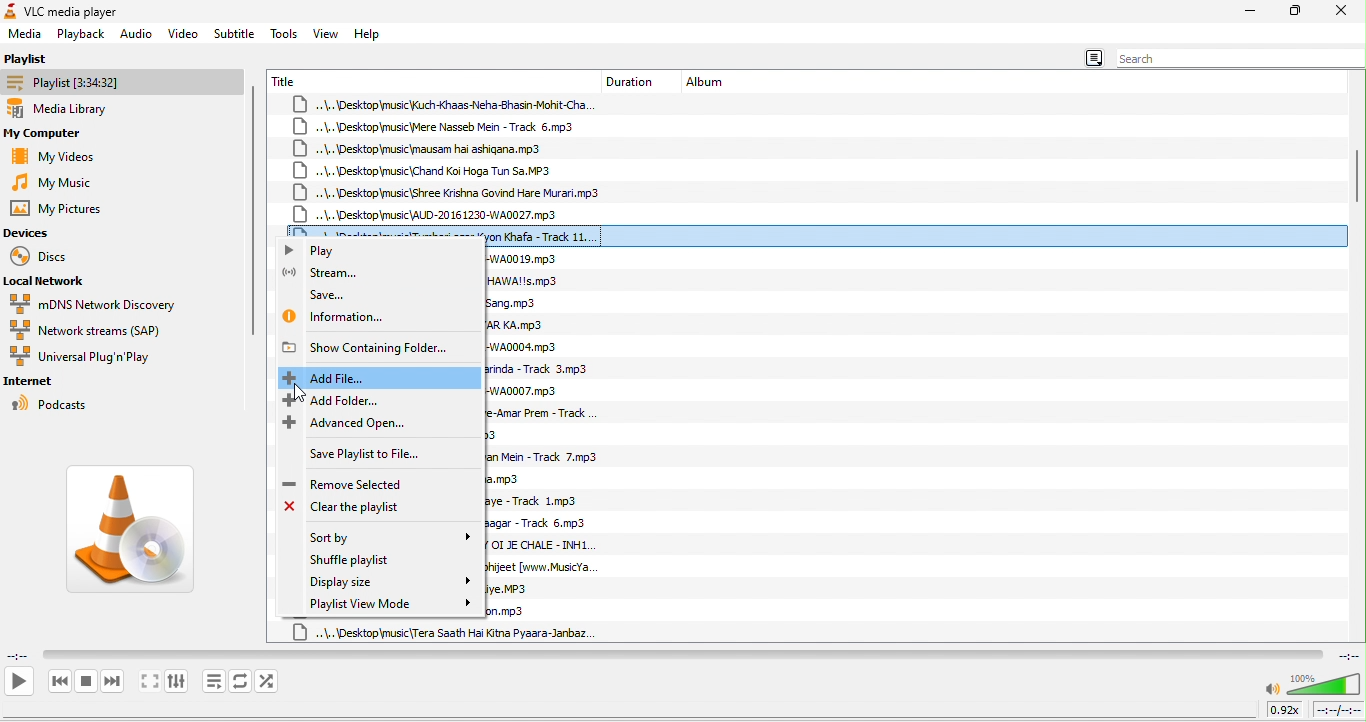 This screenshot has width=1366, height=722. Describe the element at coordinates (526, 258) in the screenshot. I see `+.\..\Desktop\music\AUD-20200 125-WA00 19.mp3` at that location.